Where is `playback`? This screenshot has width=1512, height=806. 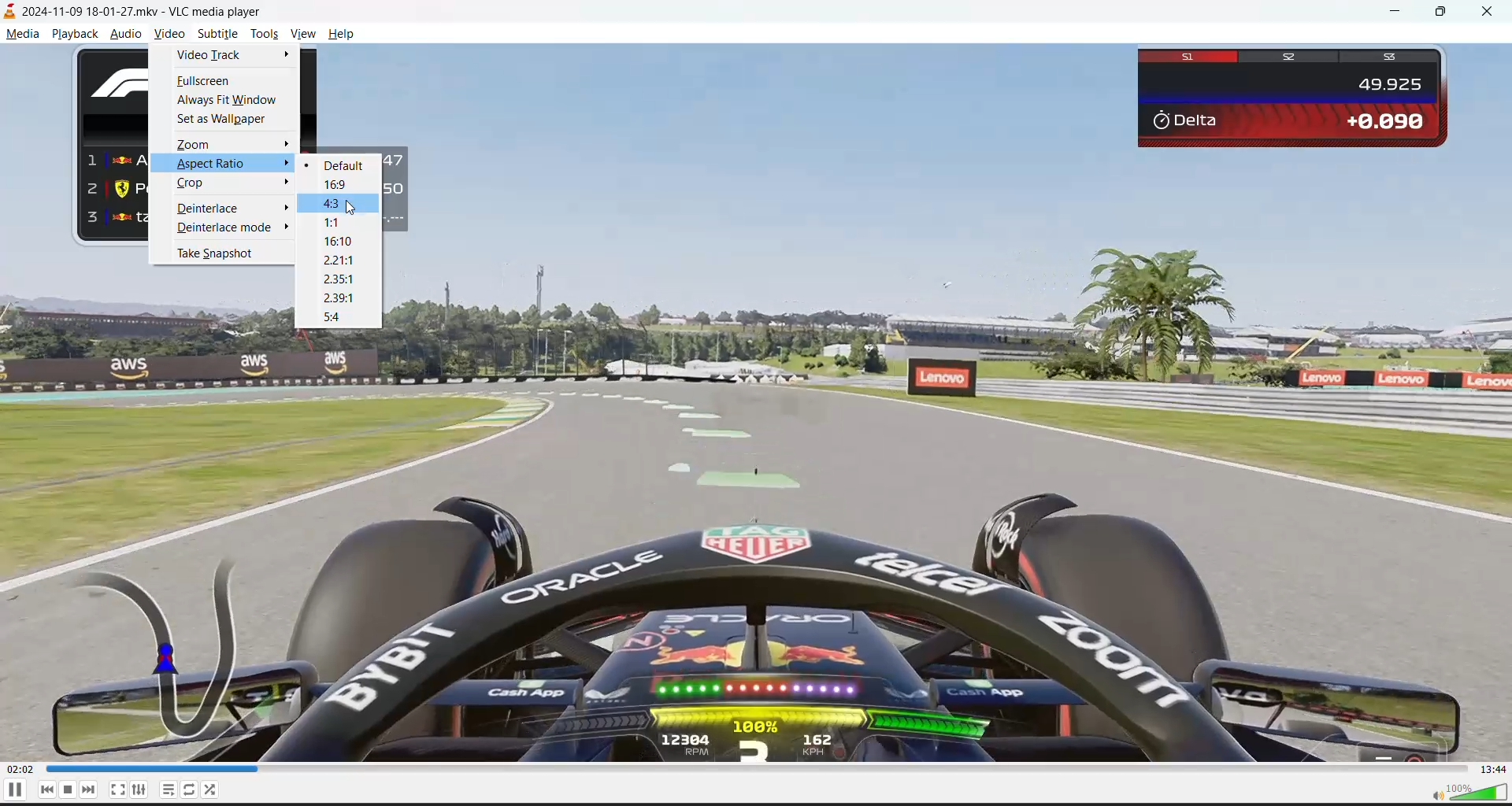
playback is located at coordinates (79, 33).